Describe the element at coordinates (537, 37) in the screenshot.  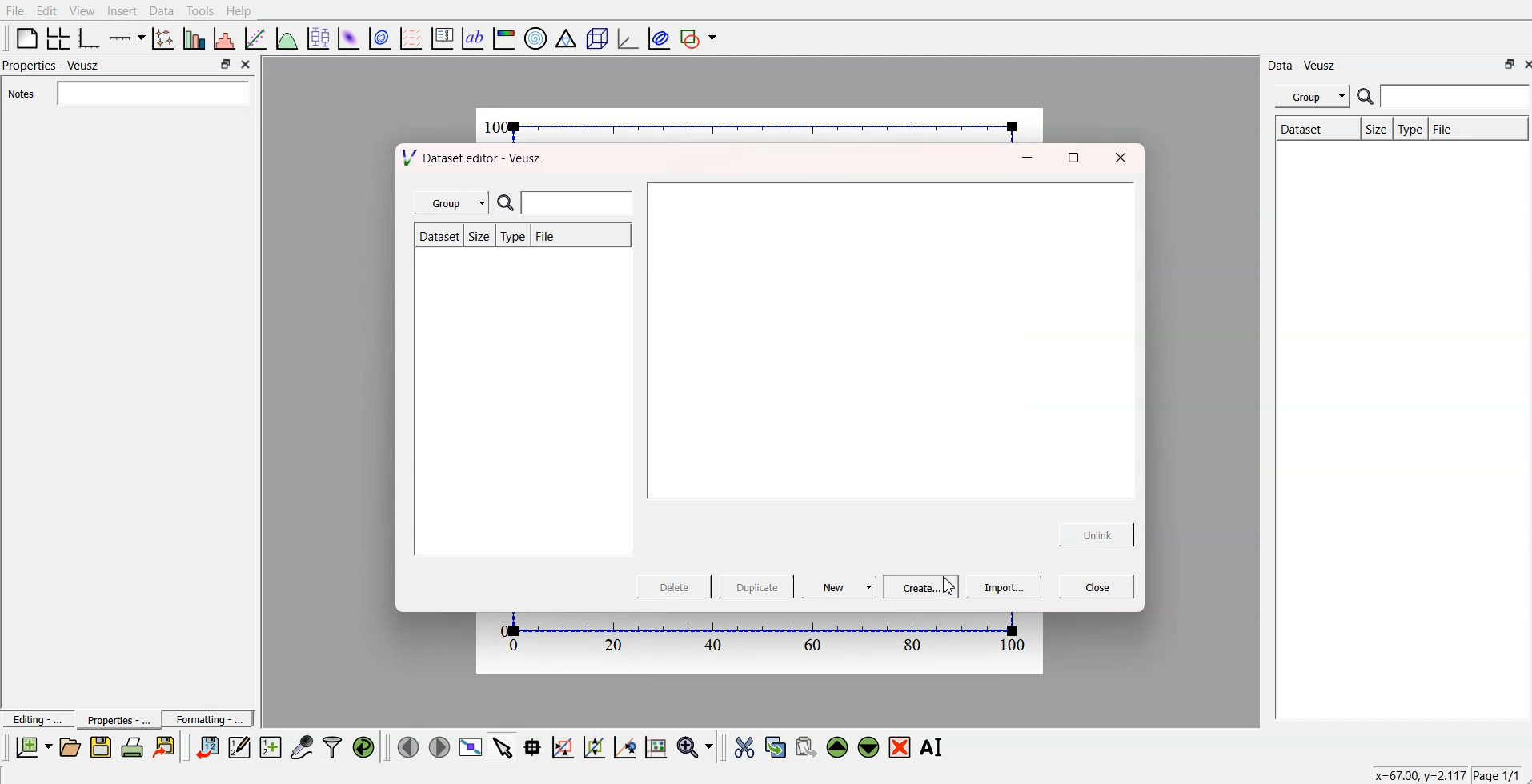
I see `polar graph` at that location.